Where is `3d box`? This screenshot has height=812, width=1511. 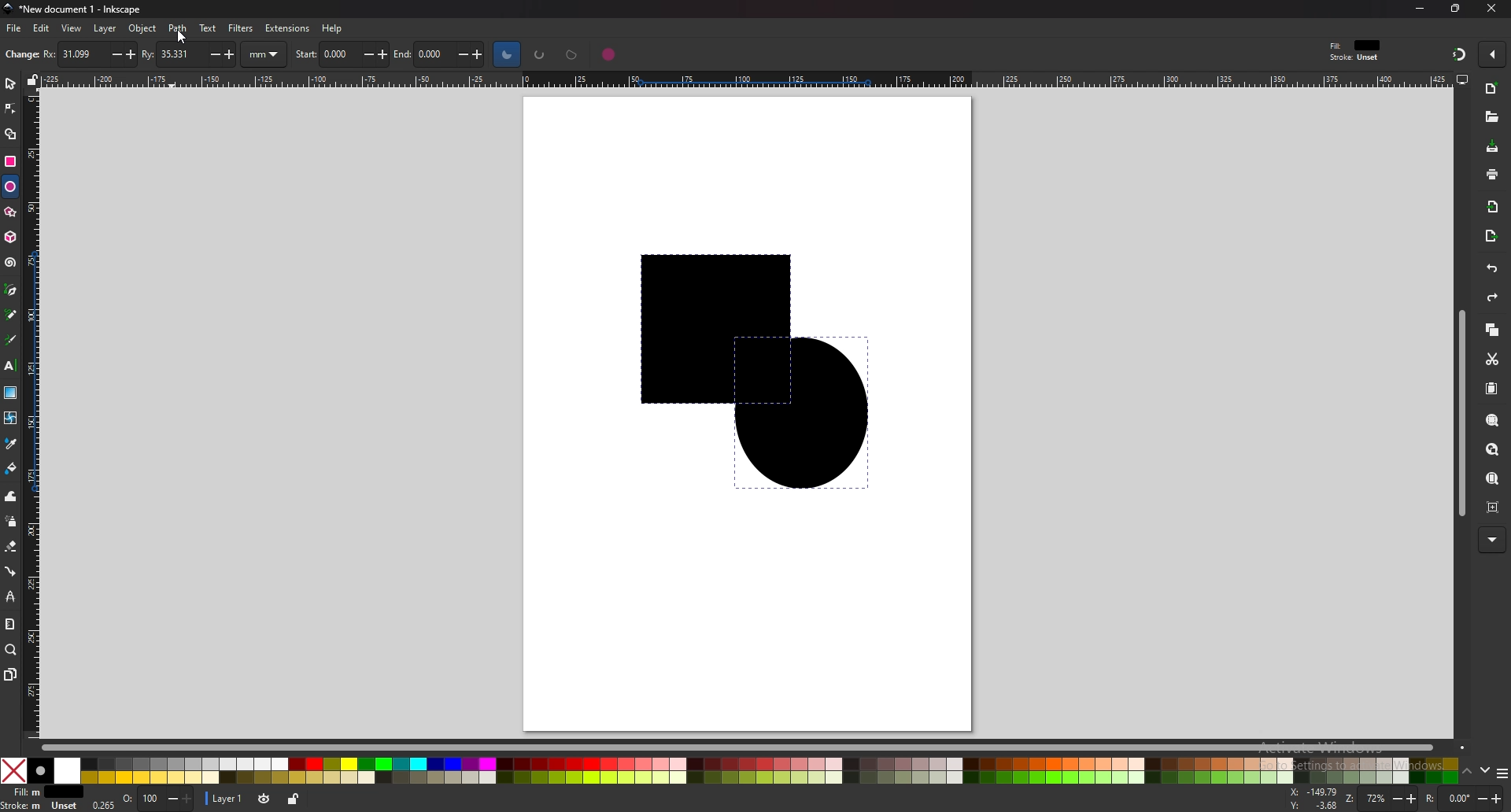
3d box is located at coordinates (10, 237).